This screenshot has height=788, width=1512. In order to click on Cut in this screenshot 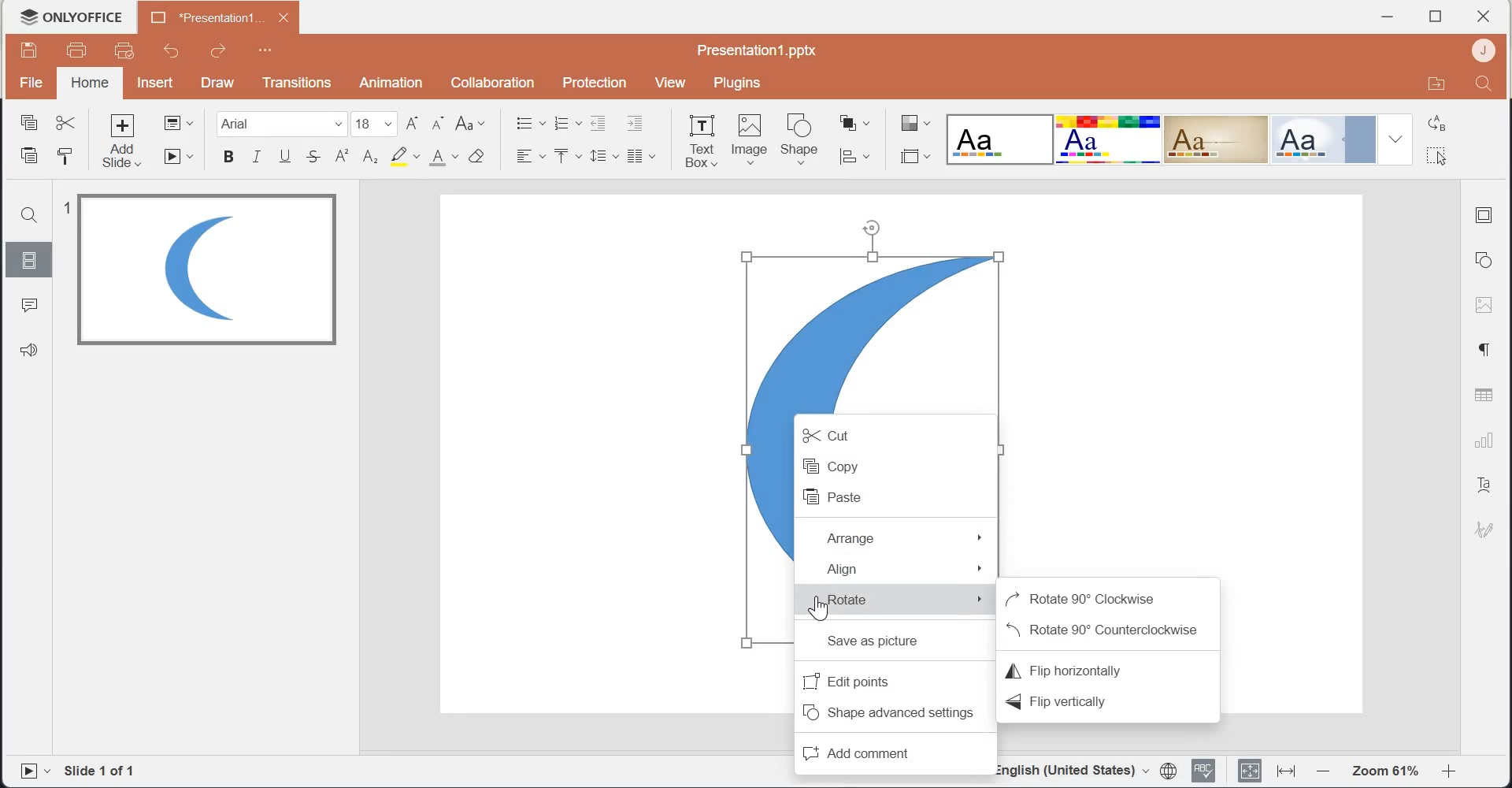, I will do `click(894, 431)`.